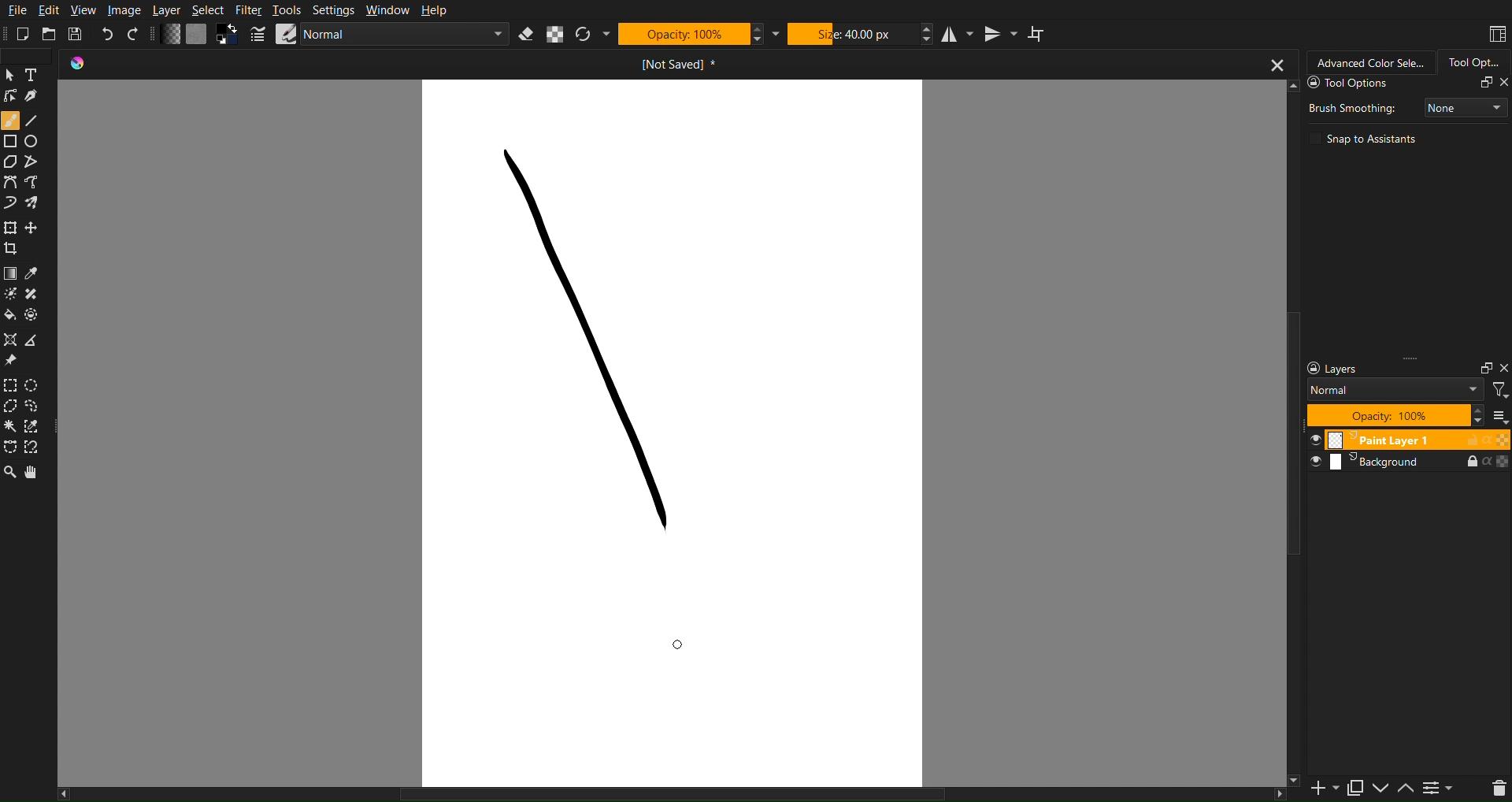 This screenshot has width=1512, height=802. I want to click on Straight Line, so click(37, 162).